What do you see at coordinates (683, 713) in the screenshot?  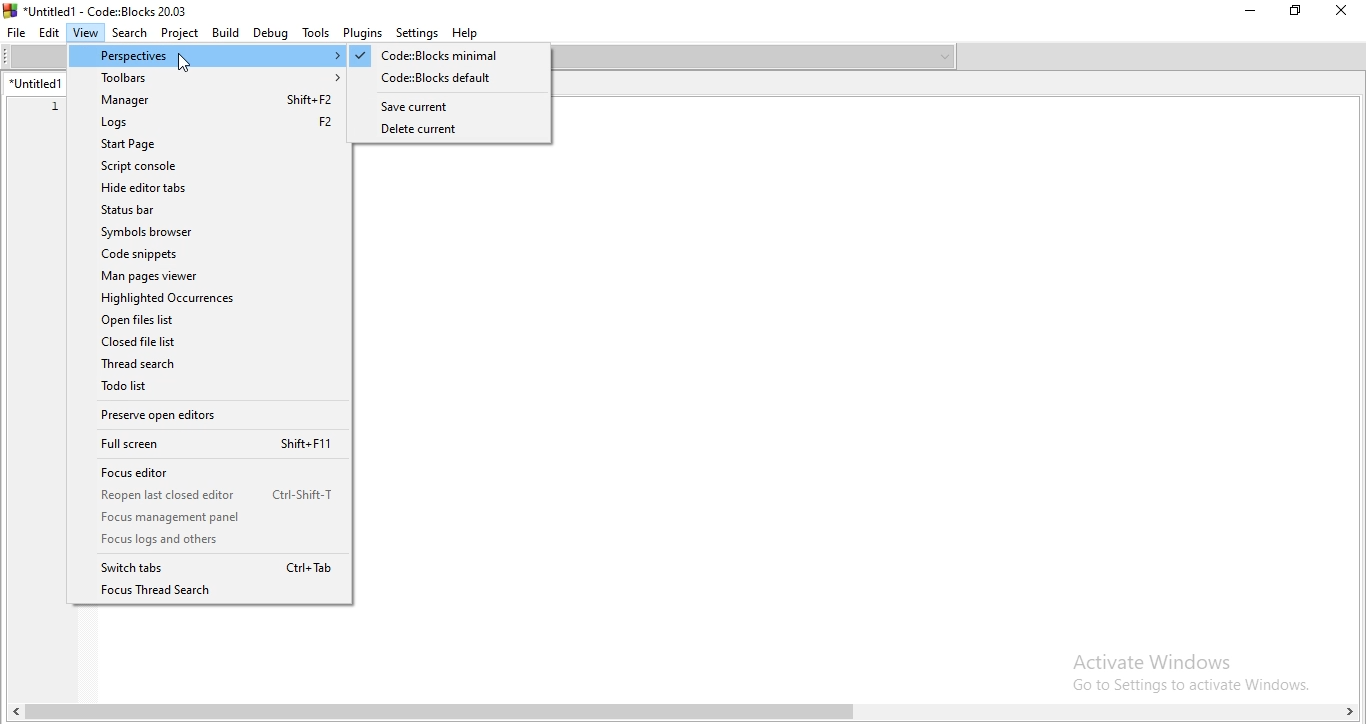 I see `scroll bar` at bounding box center [683, 713].